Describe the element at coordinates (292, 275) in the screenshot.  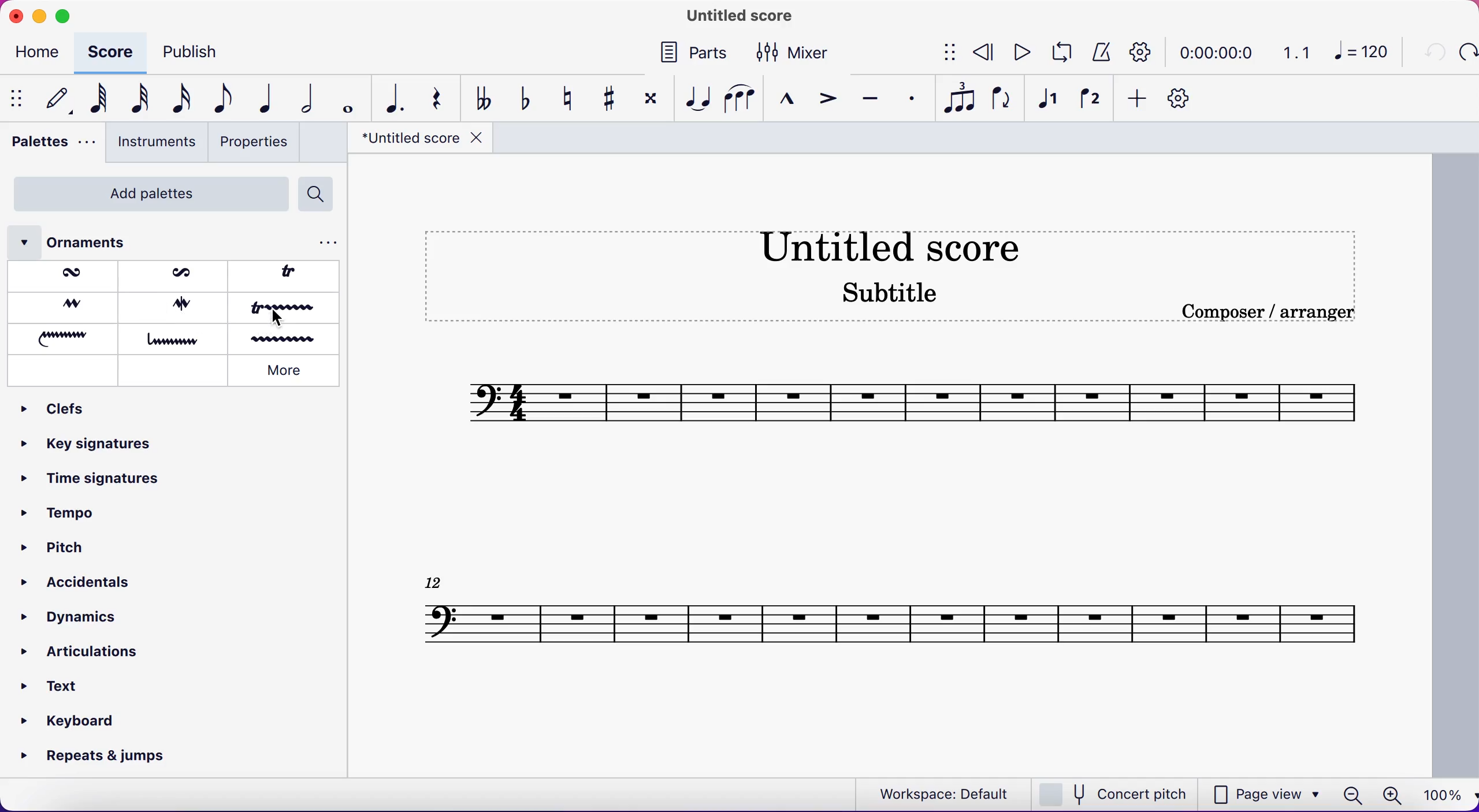
I see `trill` at that location.